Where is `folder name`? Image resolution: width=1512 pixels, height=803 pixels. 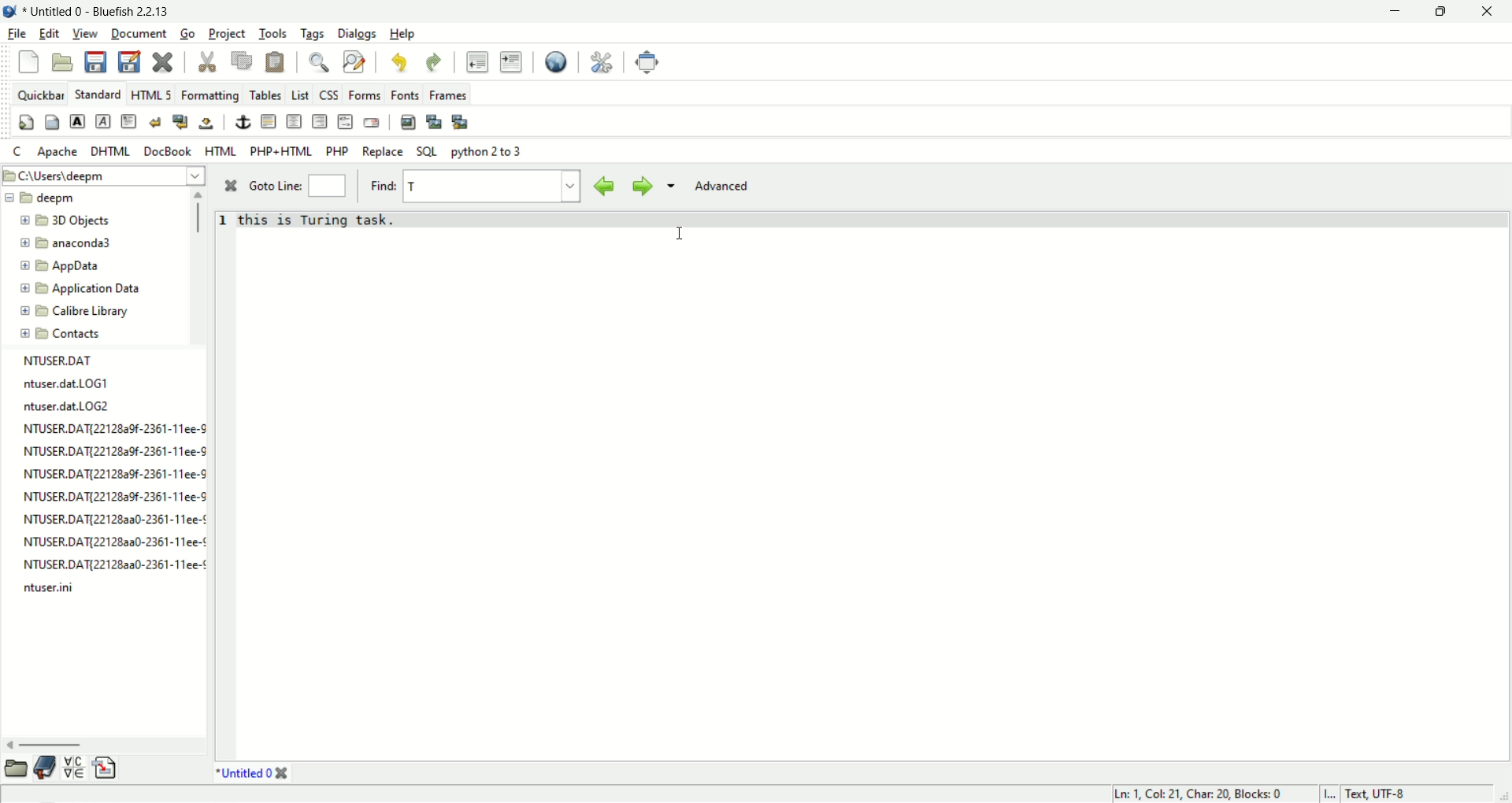 folder name is located at coordinates (69, 267).